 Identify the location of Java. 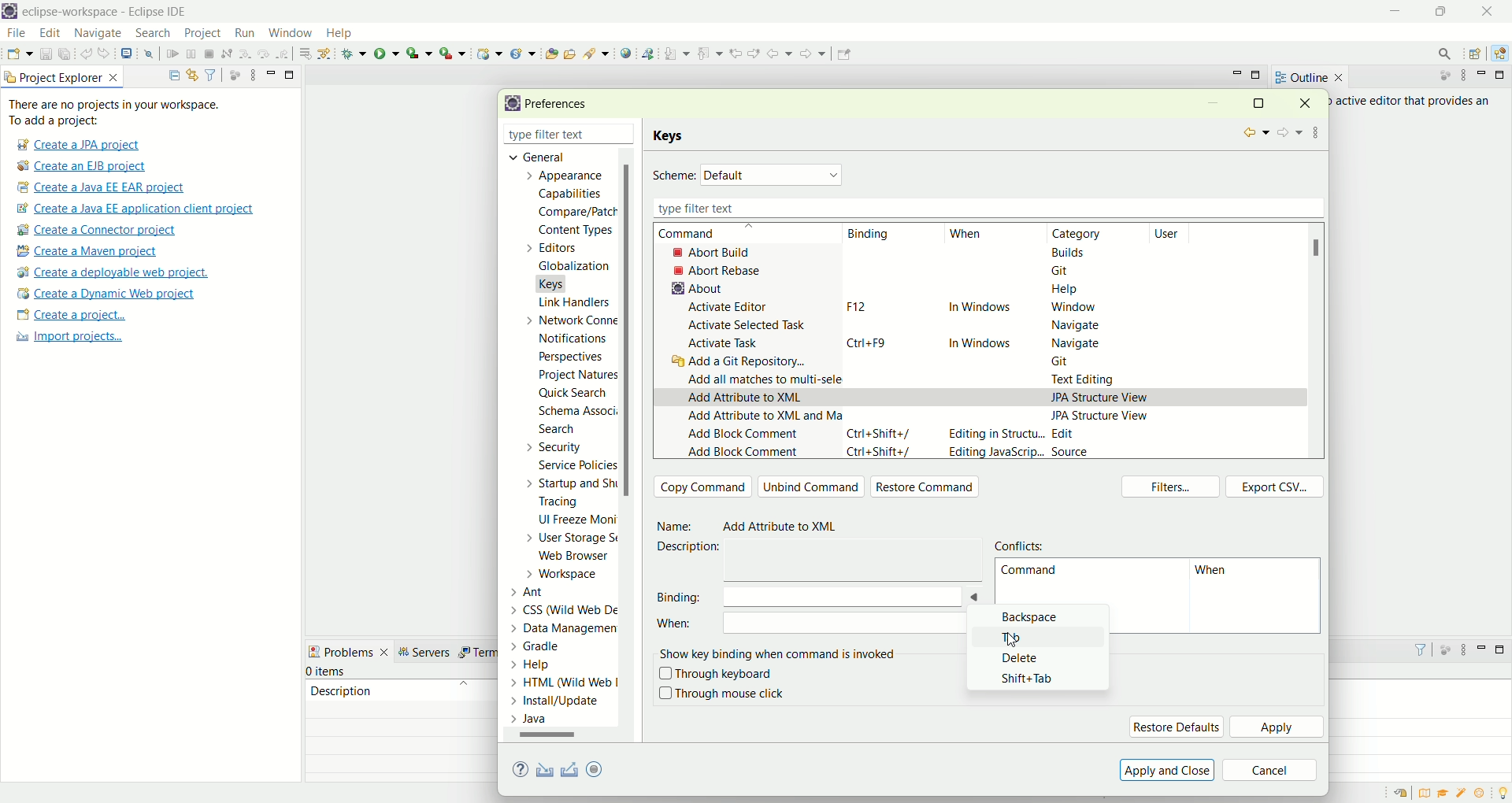
(533, 719).